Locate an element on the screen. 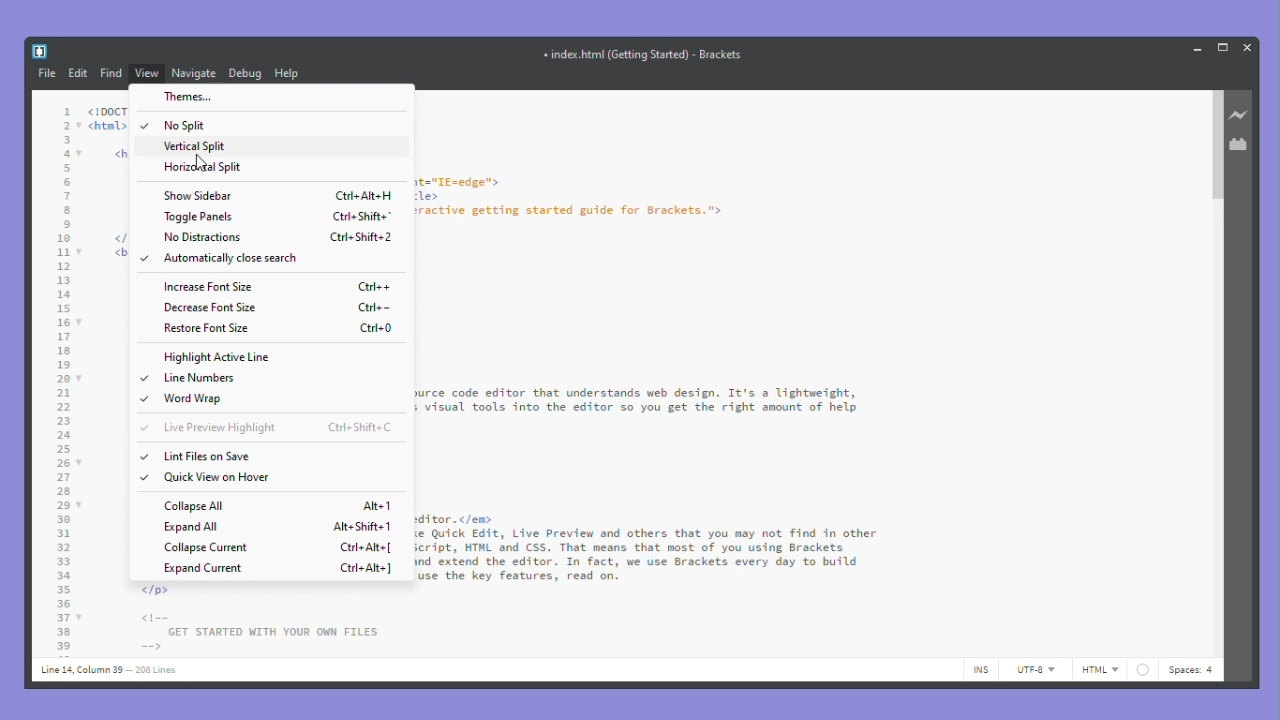 This screenshot has height=720, width=1280. Horizontal split is located at coordinates (204, 169).